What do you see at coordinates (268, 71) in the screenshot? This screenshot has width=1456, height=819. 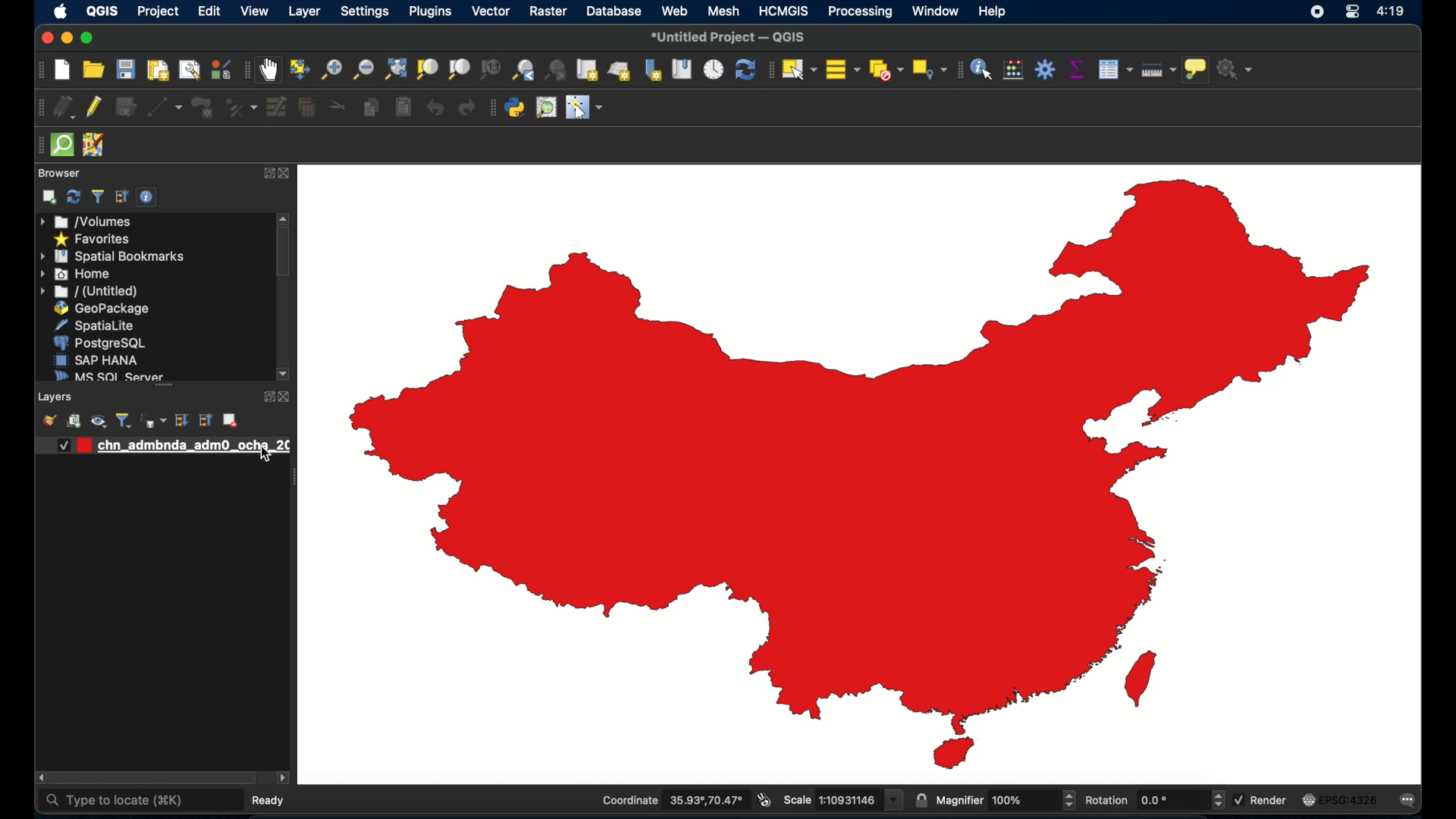 I see `pan map` at bounding box center [268, 71].